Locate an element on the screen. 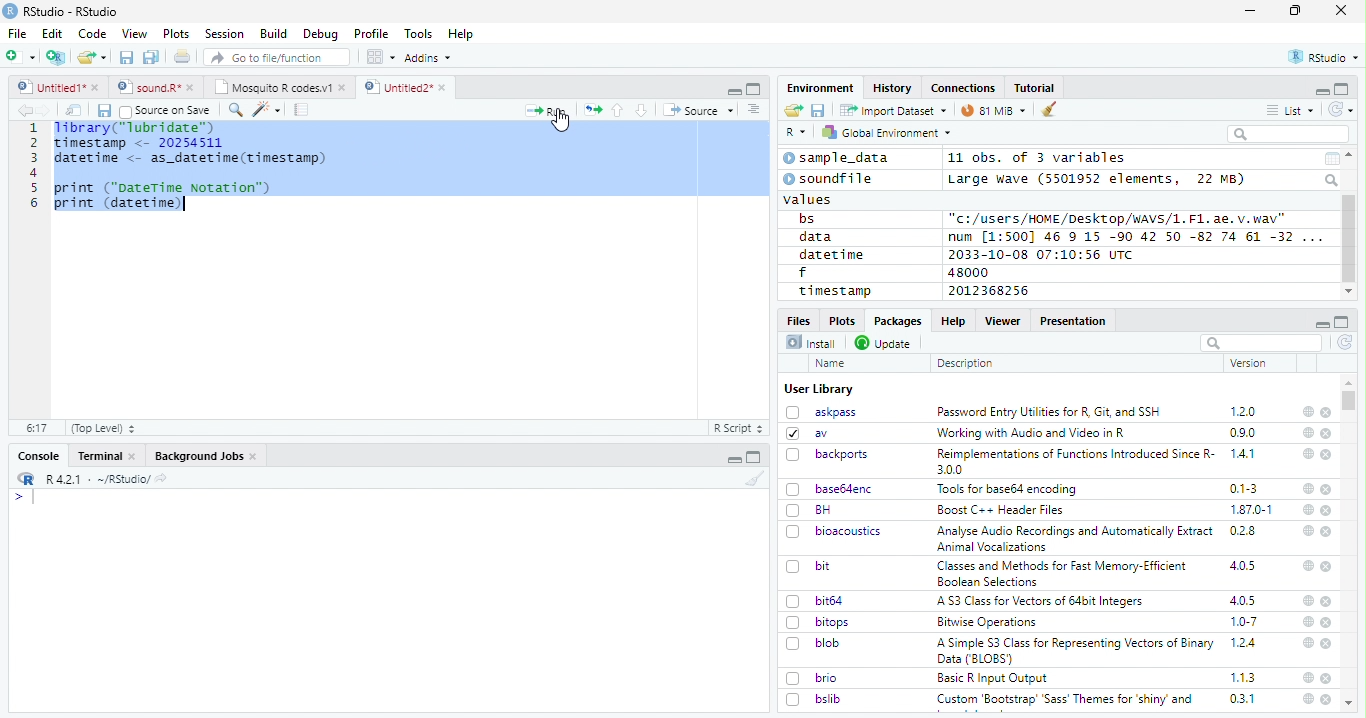 Image resolution: width=1366 pixels, height=718 pixels. Debug is located at coordinates (321, 34).